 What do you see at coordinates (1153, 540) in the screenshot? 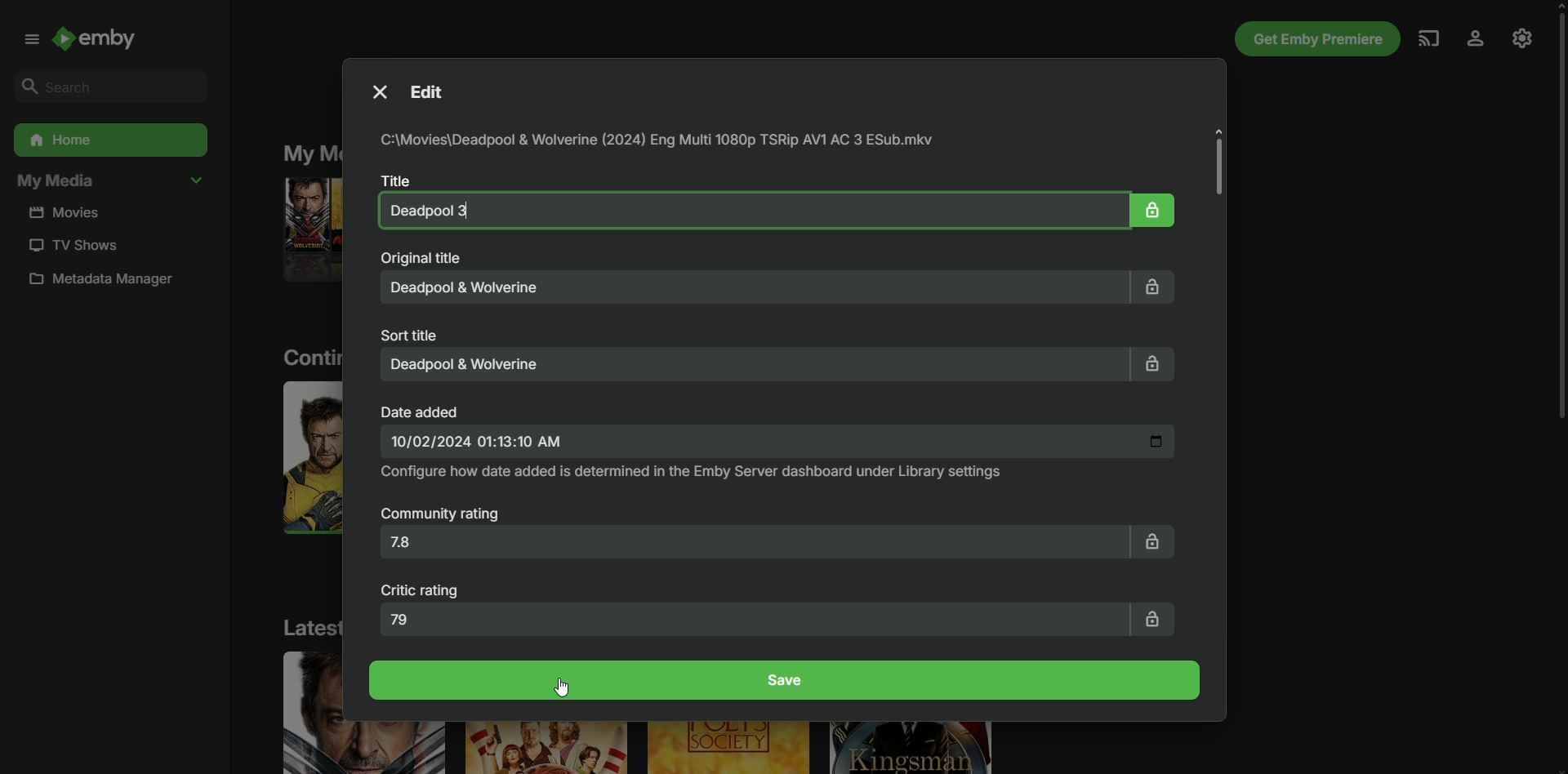
I see `Lock` at bounding box center [1153, 540].